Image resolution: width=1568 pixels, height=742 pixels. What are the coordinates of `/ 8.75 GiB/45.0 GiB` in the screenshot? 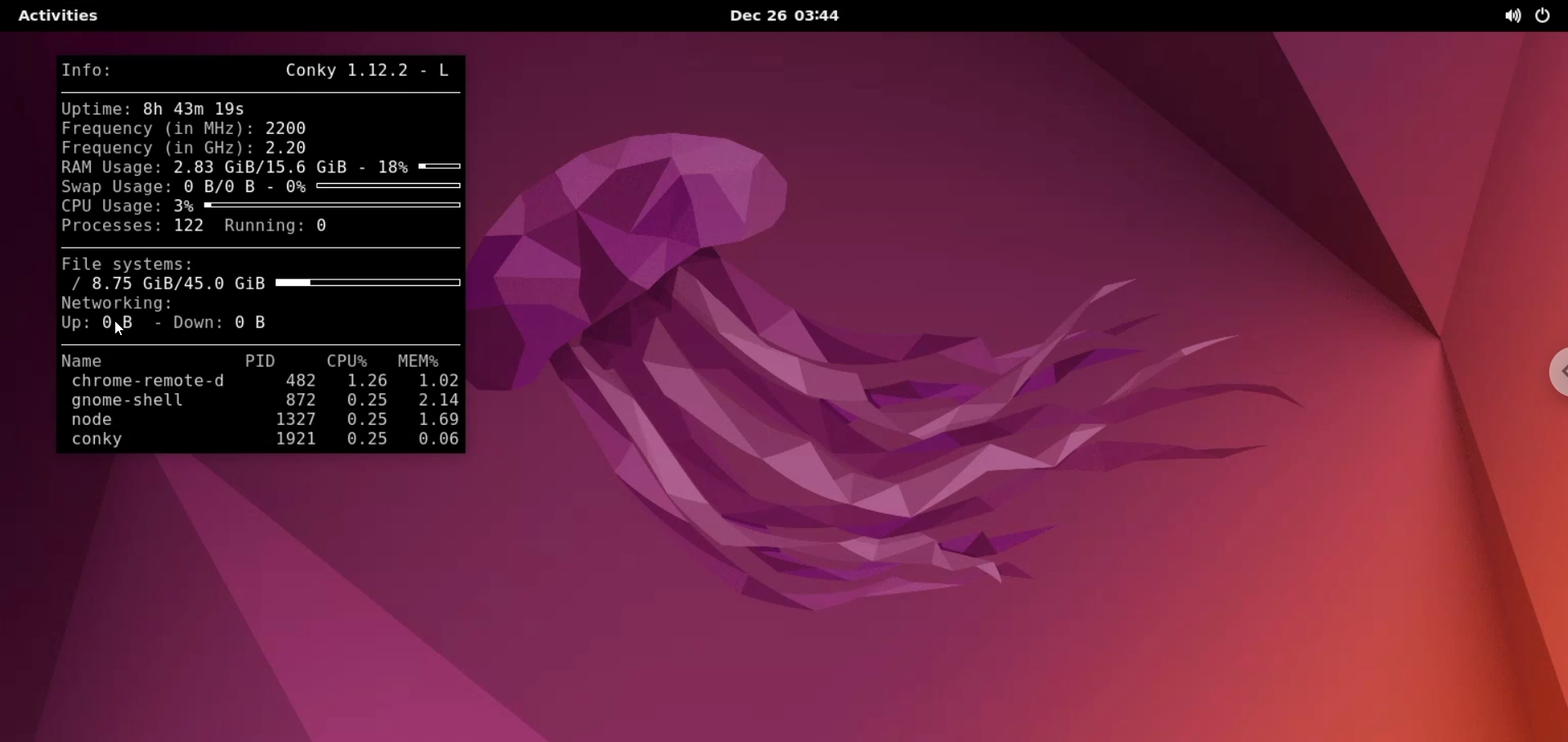 It's located at (260, 284).